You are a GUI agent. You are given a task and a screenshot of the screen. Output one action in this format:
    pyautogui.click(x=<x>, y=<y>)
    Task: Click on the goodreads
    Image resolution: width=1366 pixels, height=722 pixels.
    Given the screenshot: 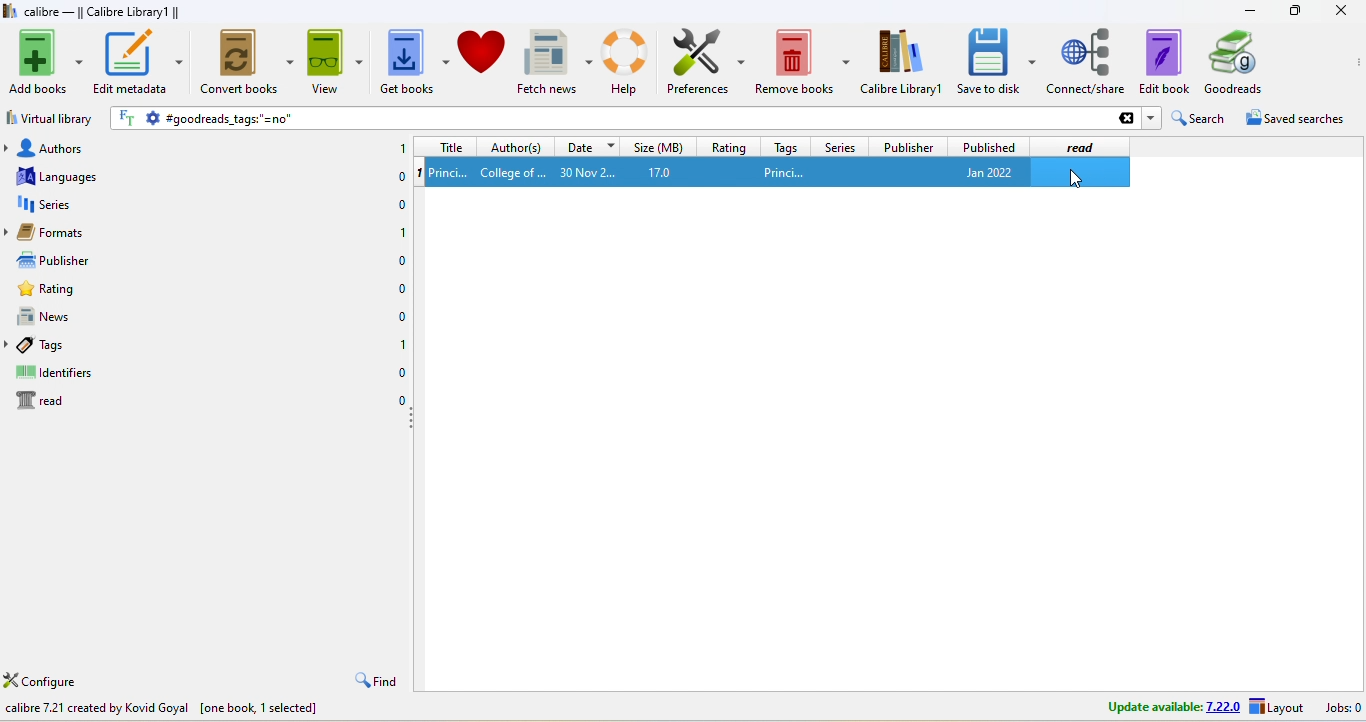 What is the action you would take?
    pyautogui.click(x=1244, y=62)
    